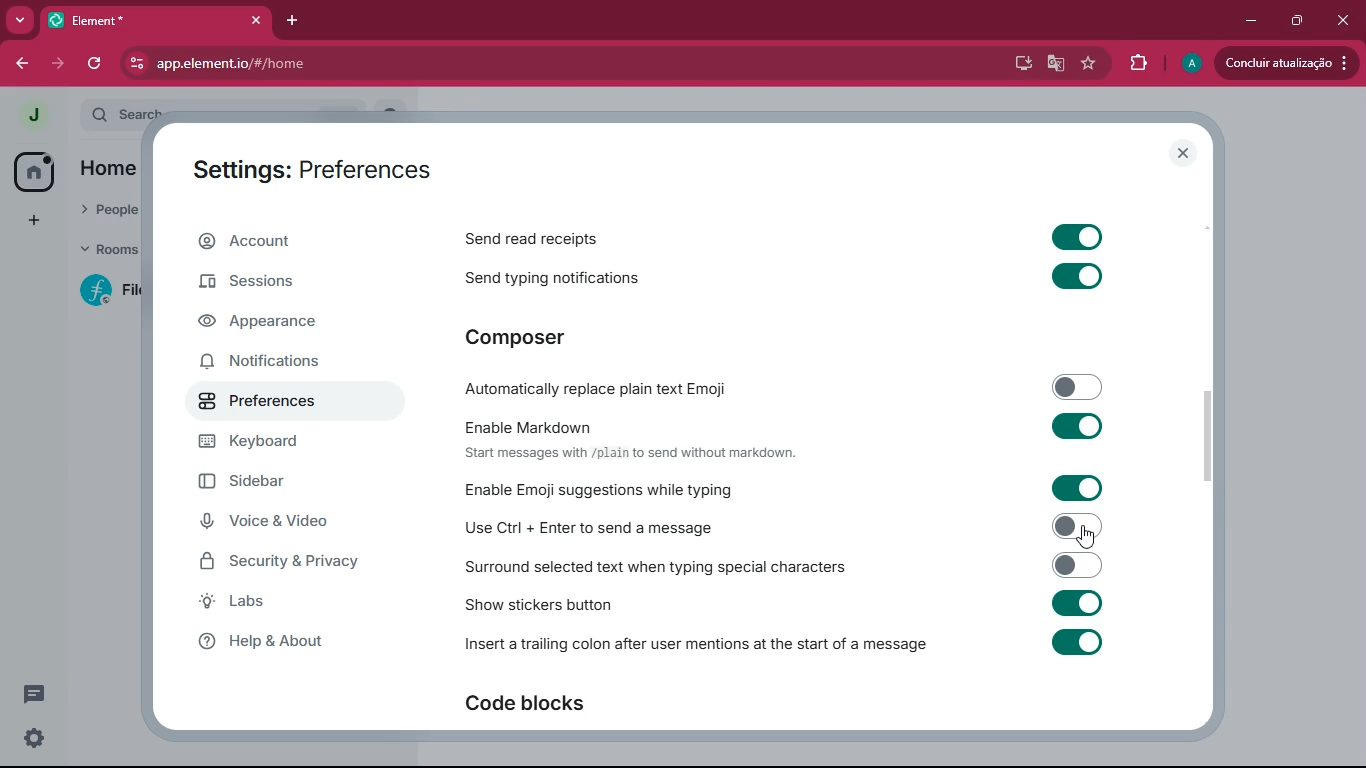 This screenshot has height=768, width=1366. What do you see at coordinates (1088, 537) in the screenshot?
I see `cursor` at bounding box center [1088, 537].